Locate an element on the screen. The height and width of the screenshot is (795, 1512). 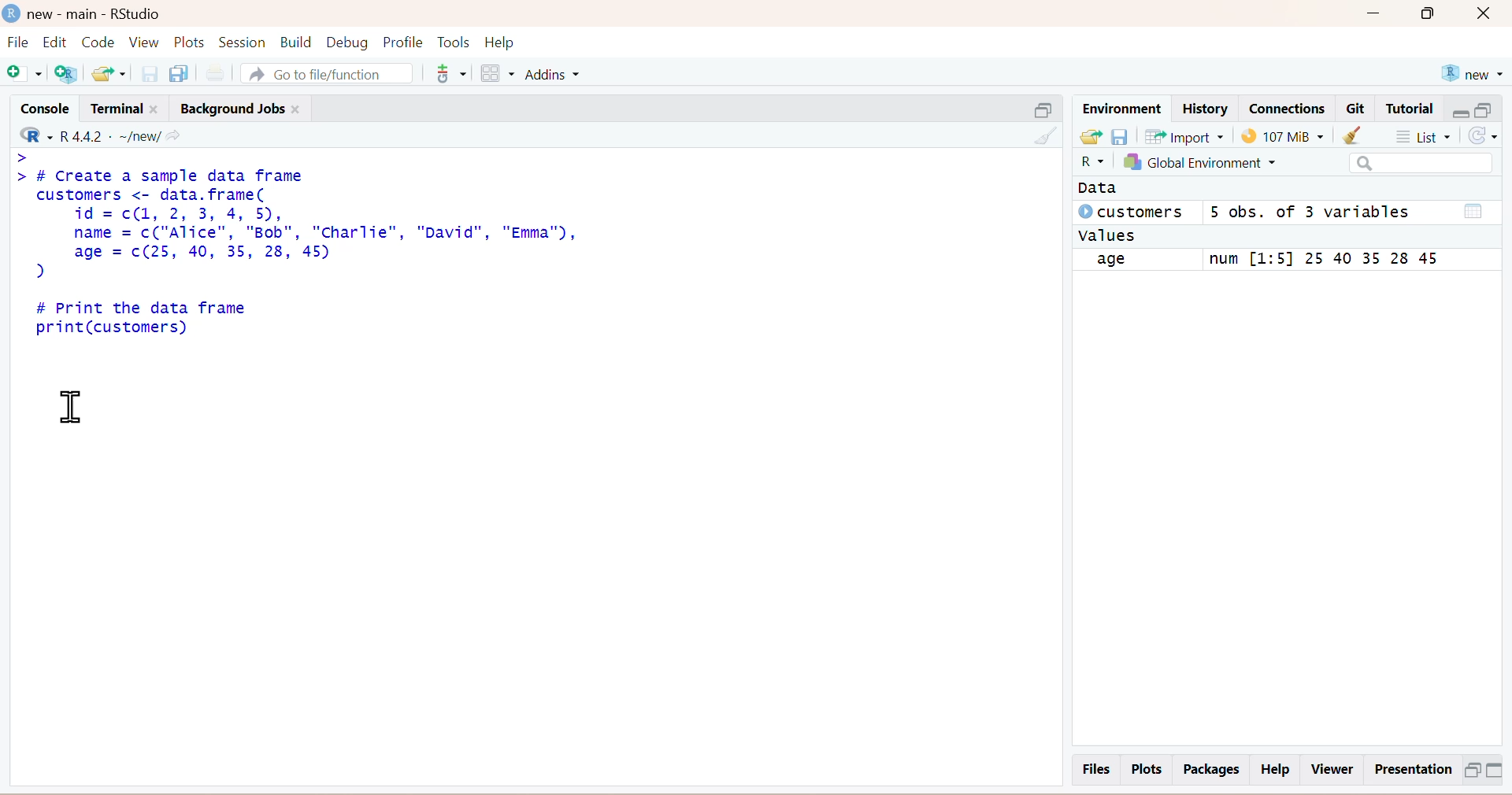
Viewer is located at coordinates (1332, 769).